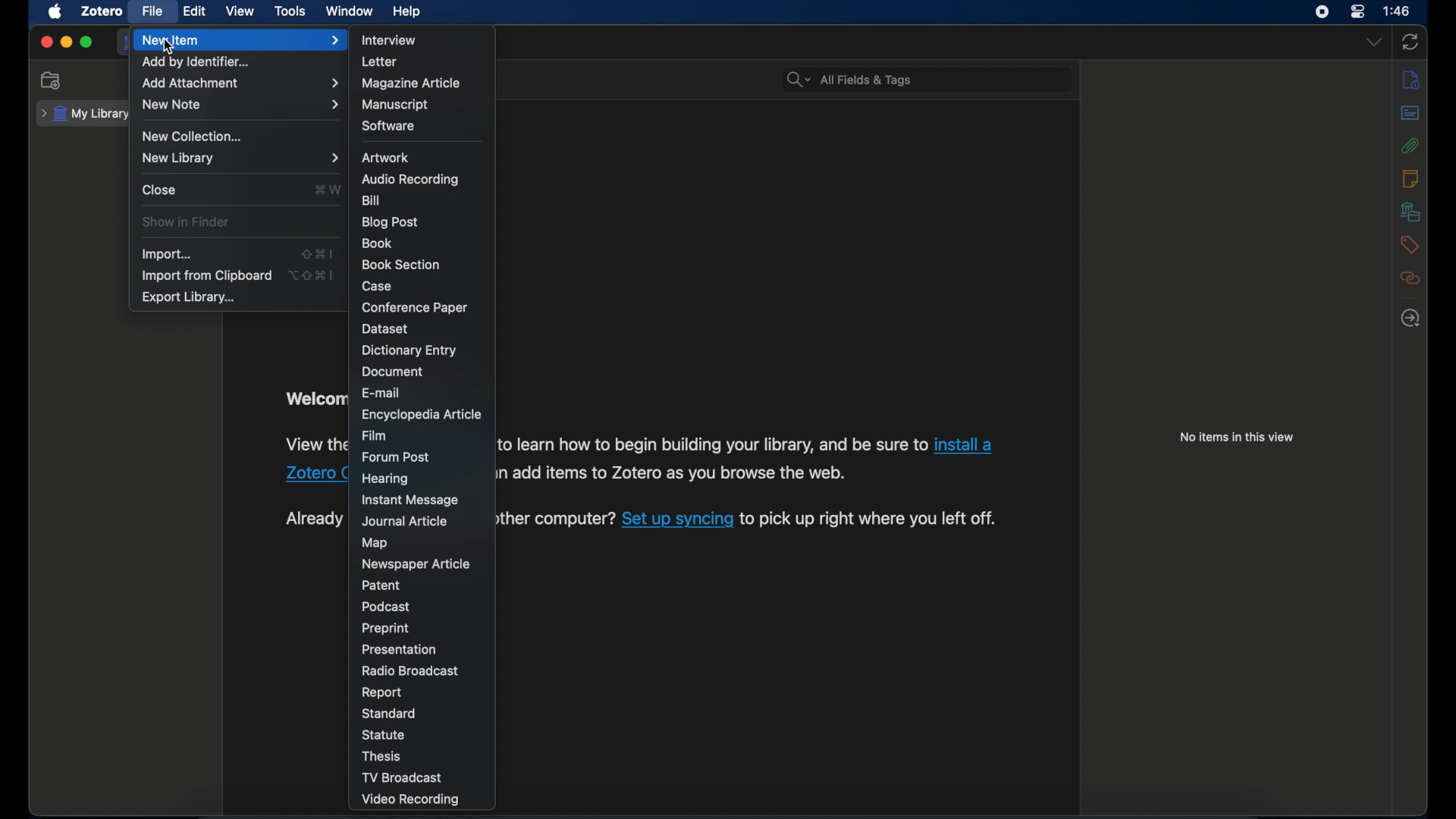  What do you see at coordinates (165, 254) in the screenshot?
I see `import` at bounding box center [165, 254].